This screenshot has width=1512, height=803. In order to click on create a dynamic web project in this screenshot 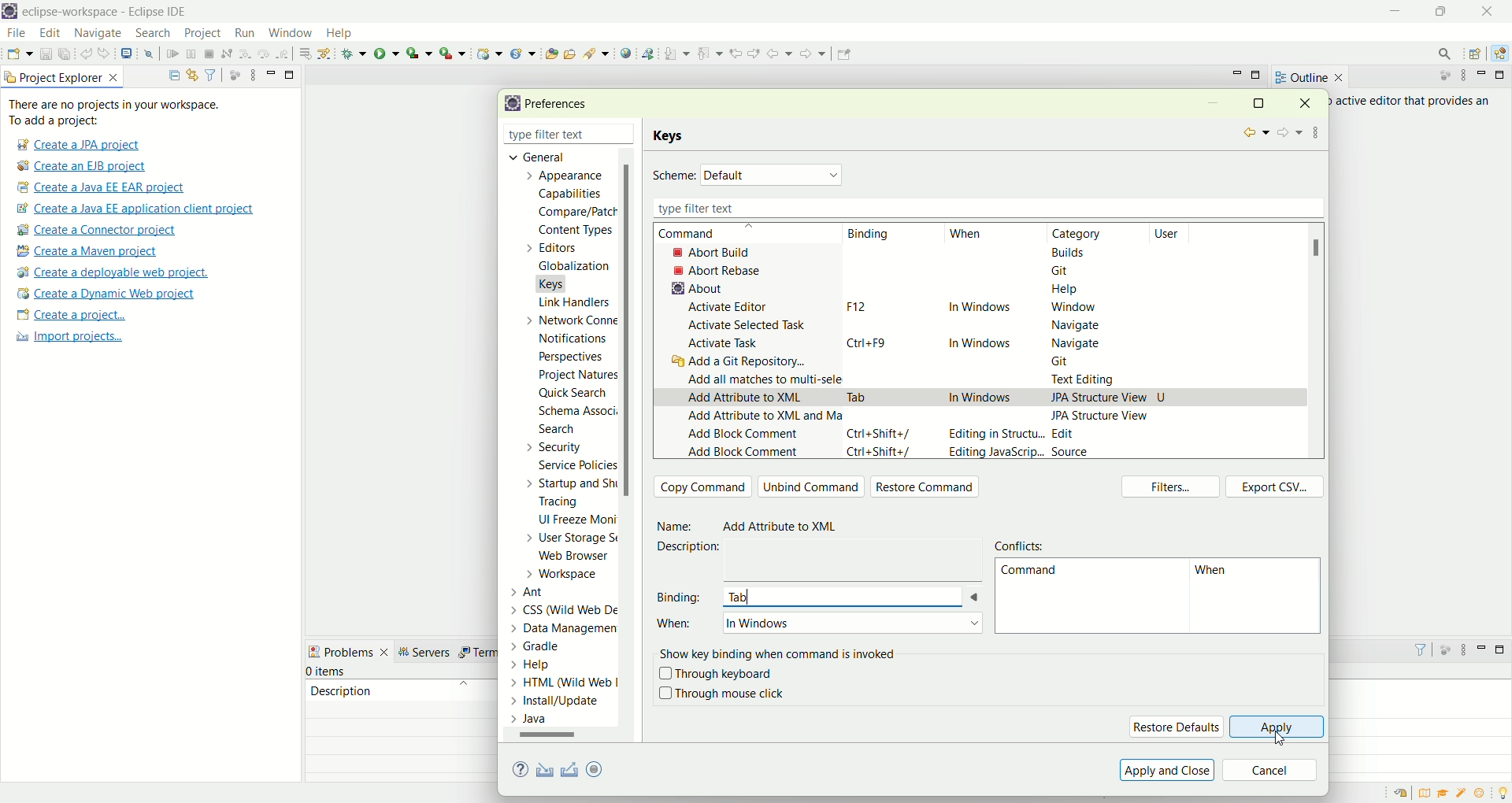, I will do `click(105, 294)`.